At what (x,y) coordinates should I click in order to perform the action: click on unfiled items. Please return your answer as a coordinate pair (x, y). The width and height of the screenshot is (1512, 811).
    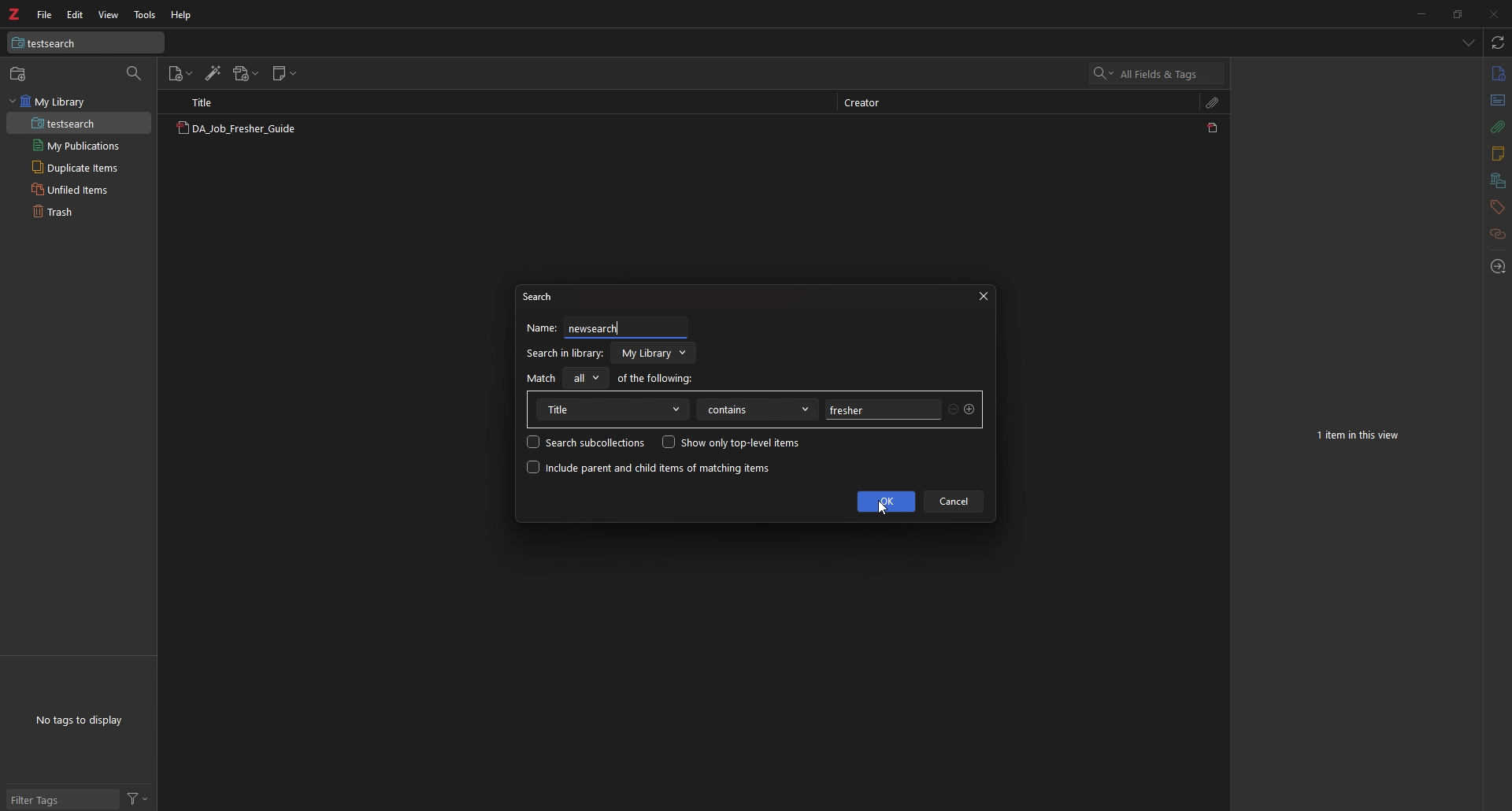
    Looking at the image, I should click on (79, 189).